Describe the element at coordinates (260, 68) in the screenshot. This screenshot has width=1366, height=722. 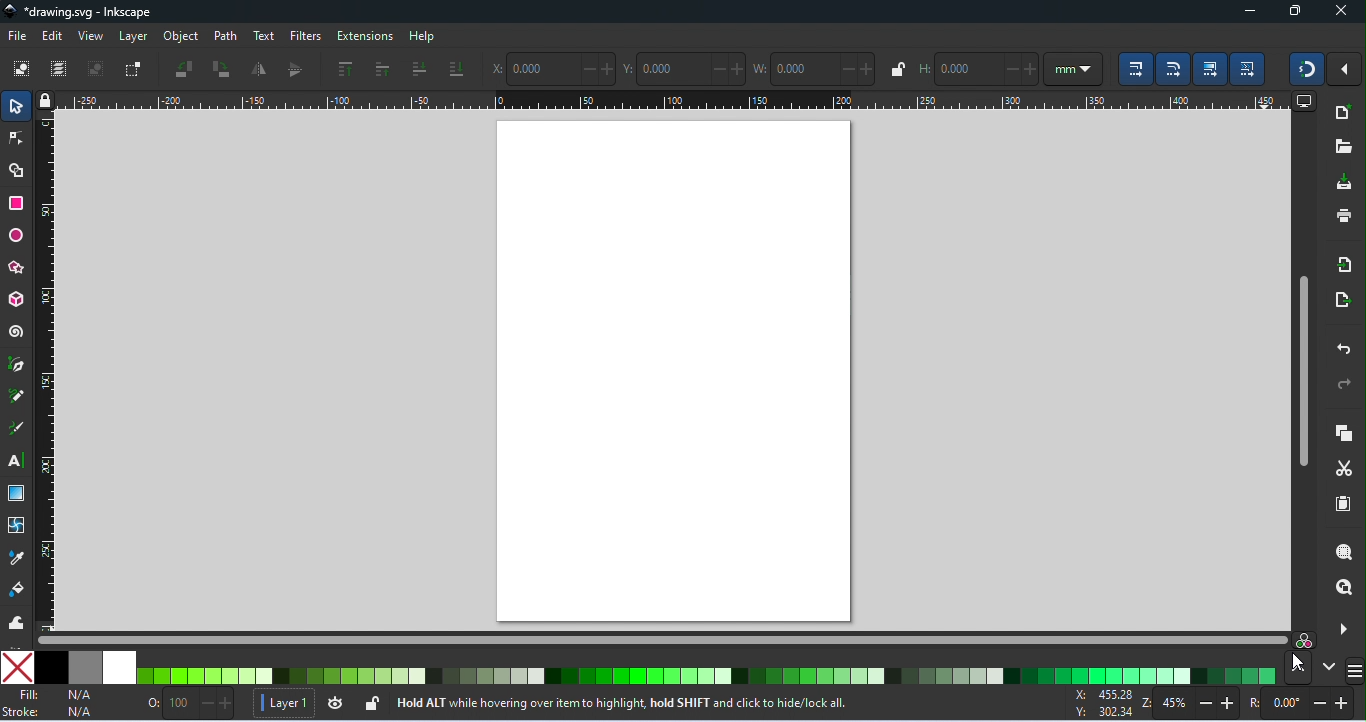
I see `flip horizontal` at that location.